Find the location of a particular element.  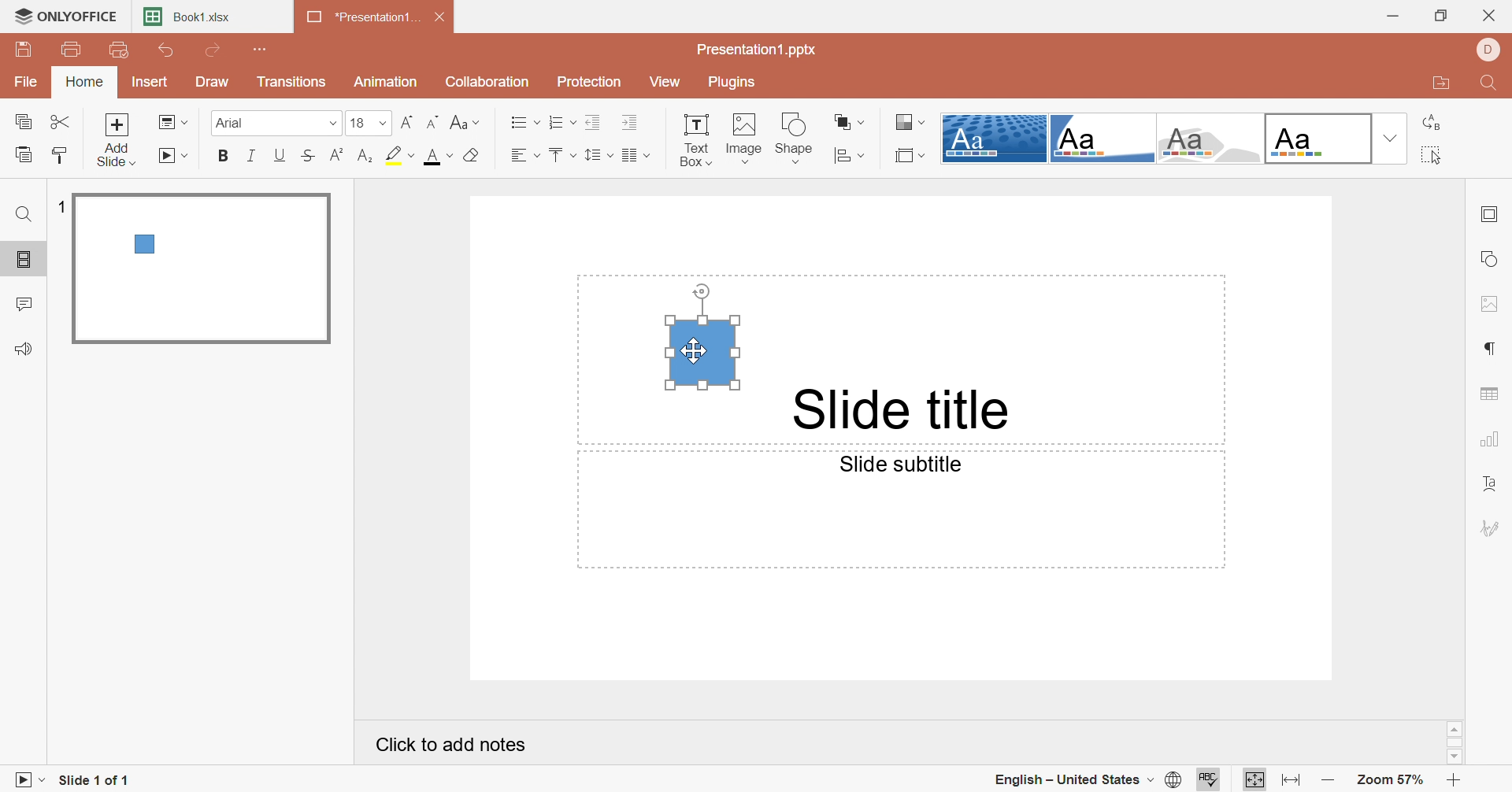

Slide Title is located at coordinates (901, 412).